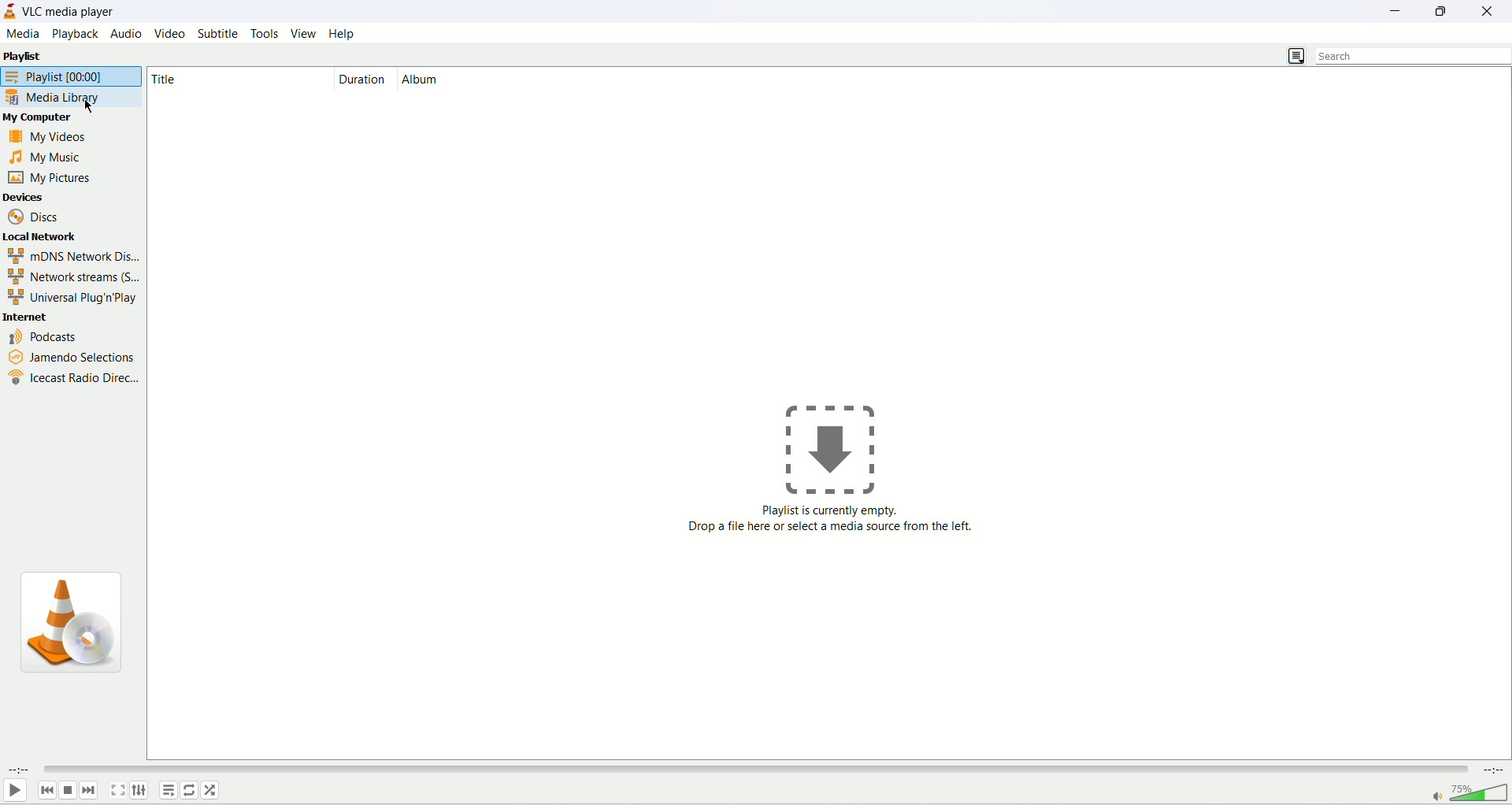 This screenshot has width=1512, height=805. Describe the element at coordinates (92, 790) in the screenshot. I see `next` at that location.